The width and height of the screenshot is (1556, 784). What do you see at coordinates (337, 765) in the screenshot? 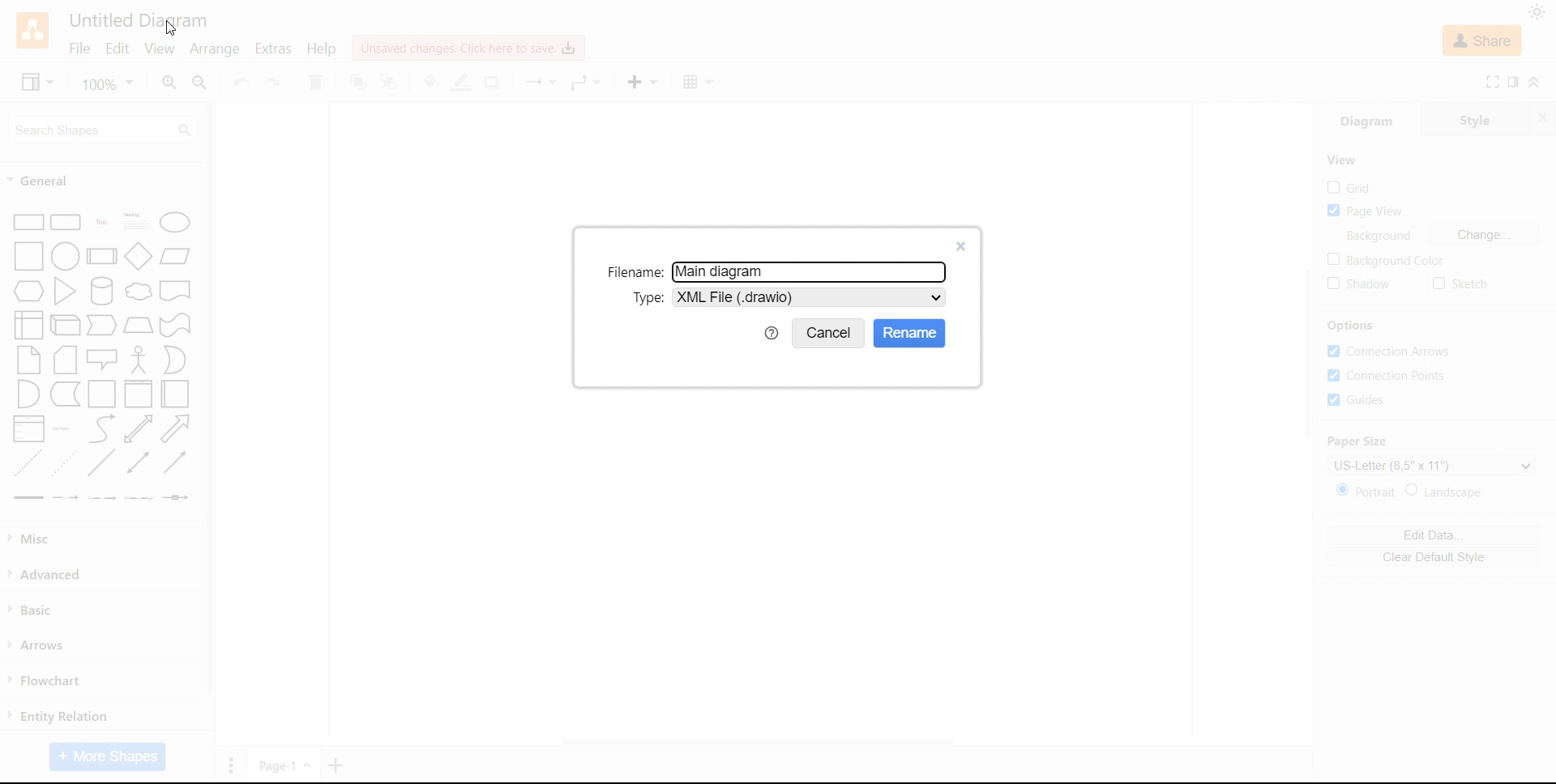
I see `Add page ` at bounding box center [337, 765].